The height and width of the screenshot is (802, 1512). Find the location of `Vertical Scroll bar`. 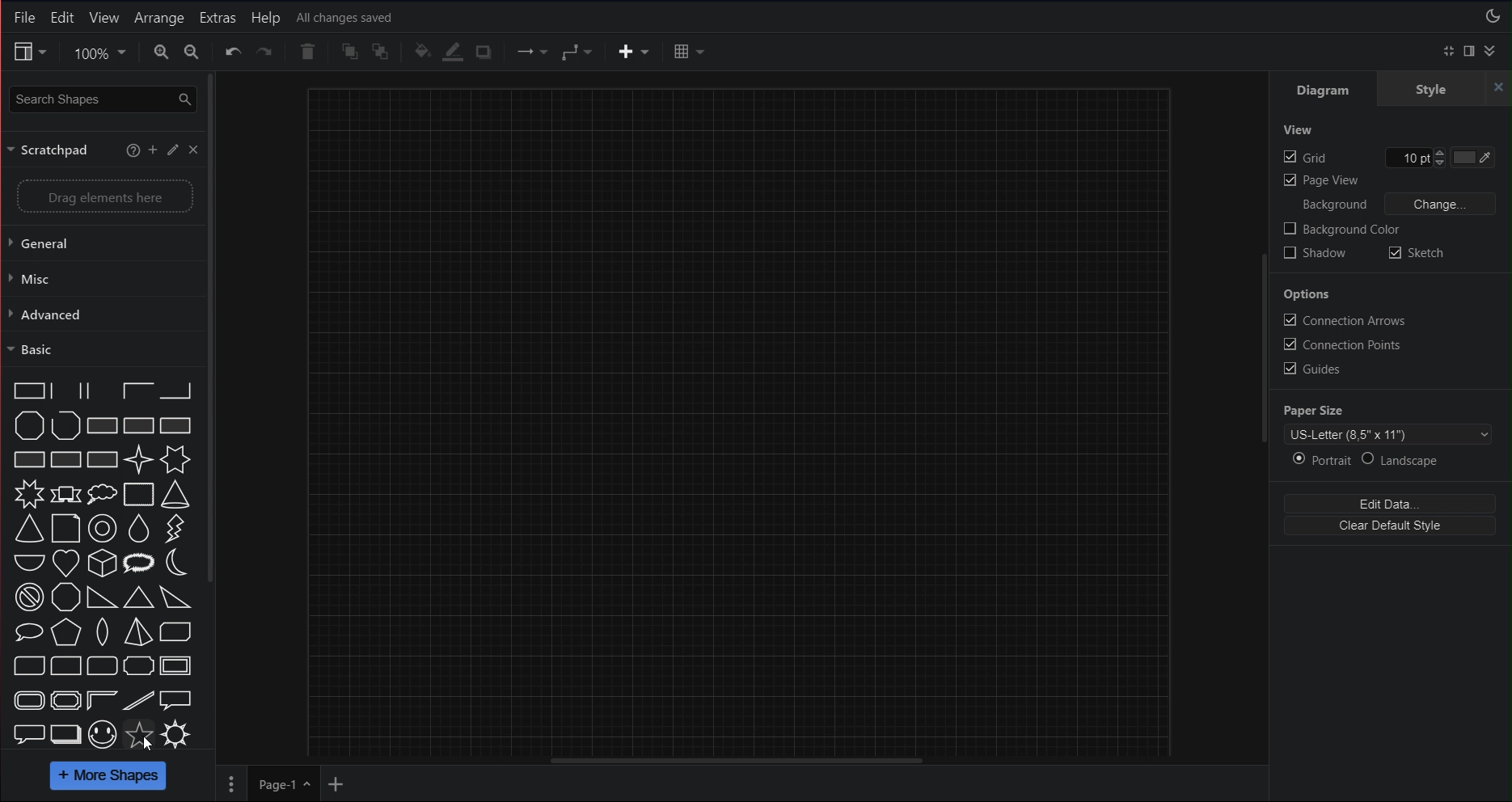

Vertical Scroll bar is located at coordinates (286, 411).